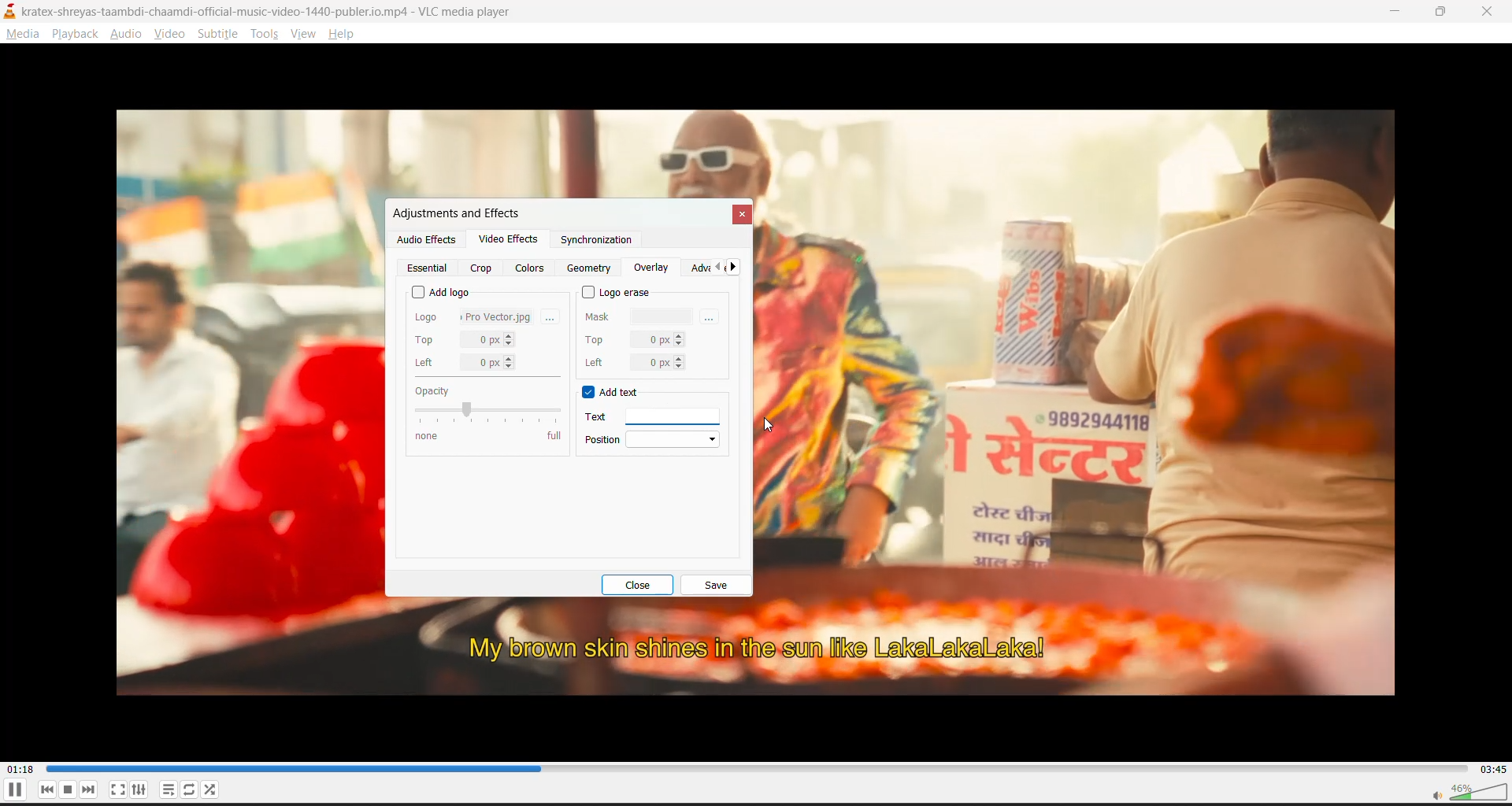 The width and height of the screenshot is (1512, 806). I want to click on kratex-shreyas-taambdi-chaamdi-official-music-video-1440-publer.io.mp4 - VLC media player, so click(280, 9).